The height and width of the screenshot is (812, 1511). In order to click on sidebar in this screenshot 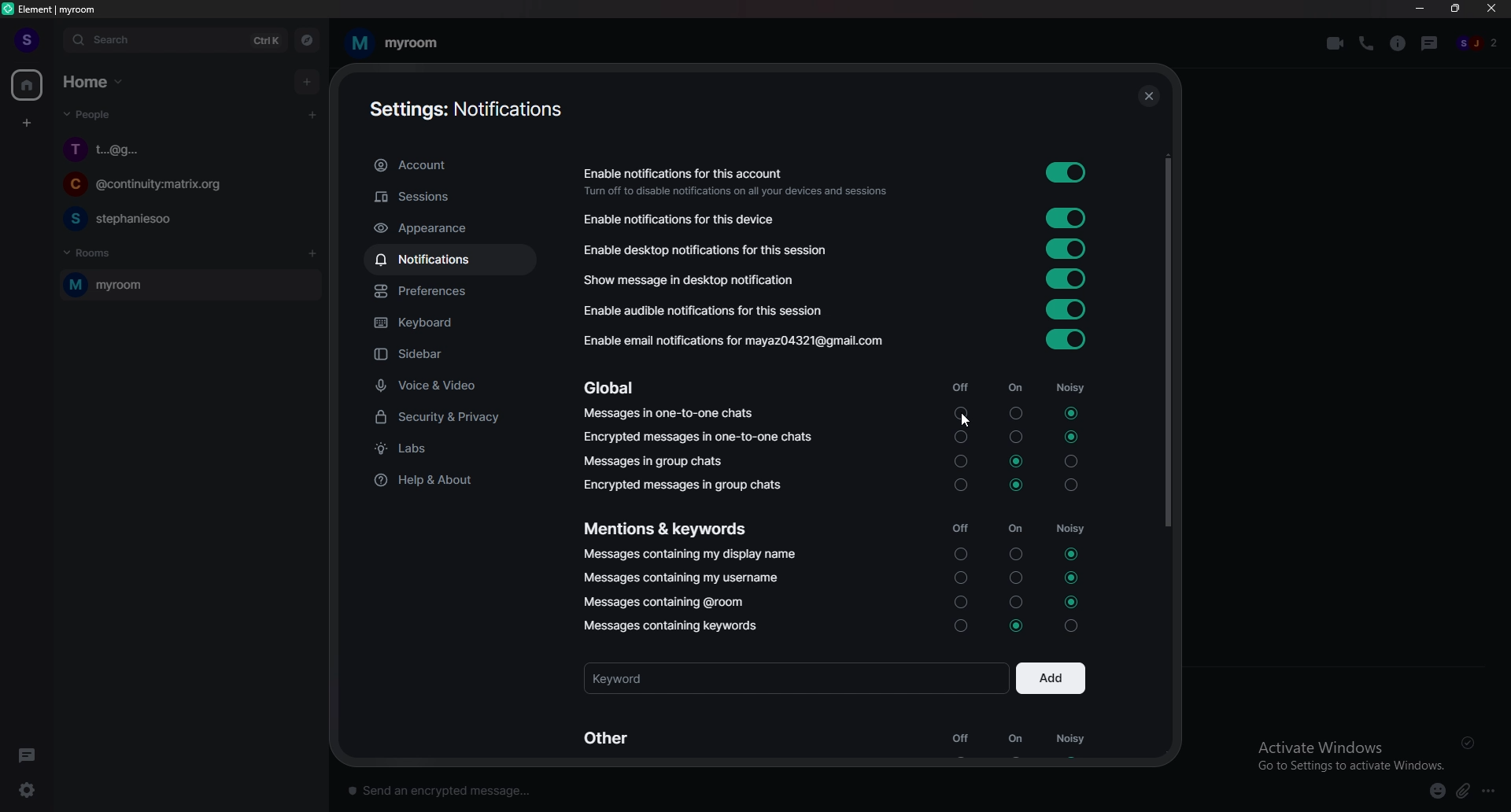, I will do `click(459, 355)`.